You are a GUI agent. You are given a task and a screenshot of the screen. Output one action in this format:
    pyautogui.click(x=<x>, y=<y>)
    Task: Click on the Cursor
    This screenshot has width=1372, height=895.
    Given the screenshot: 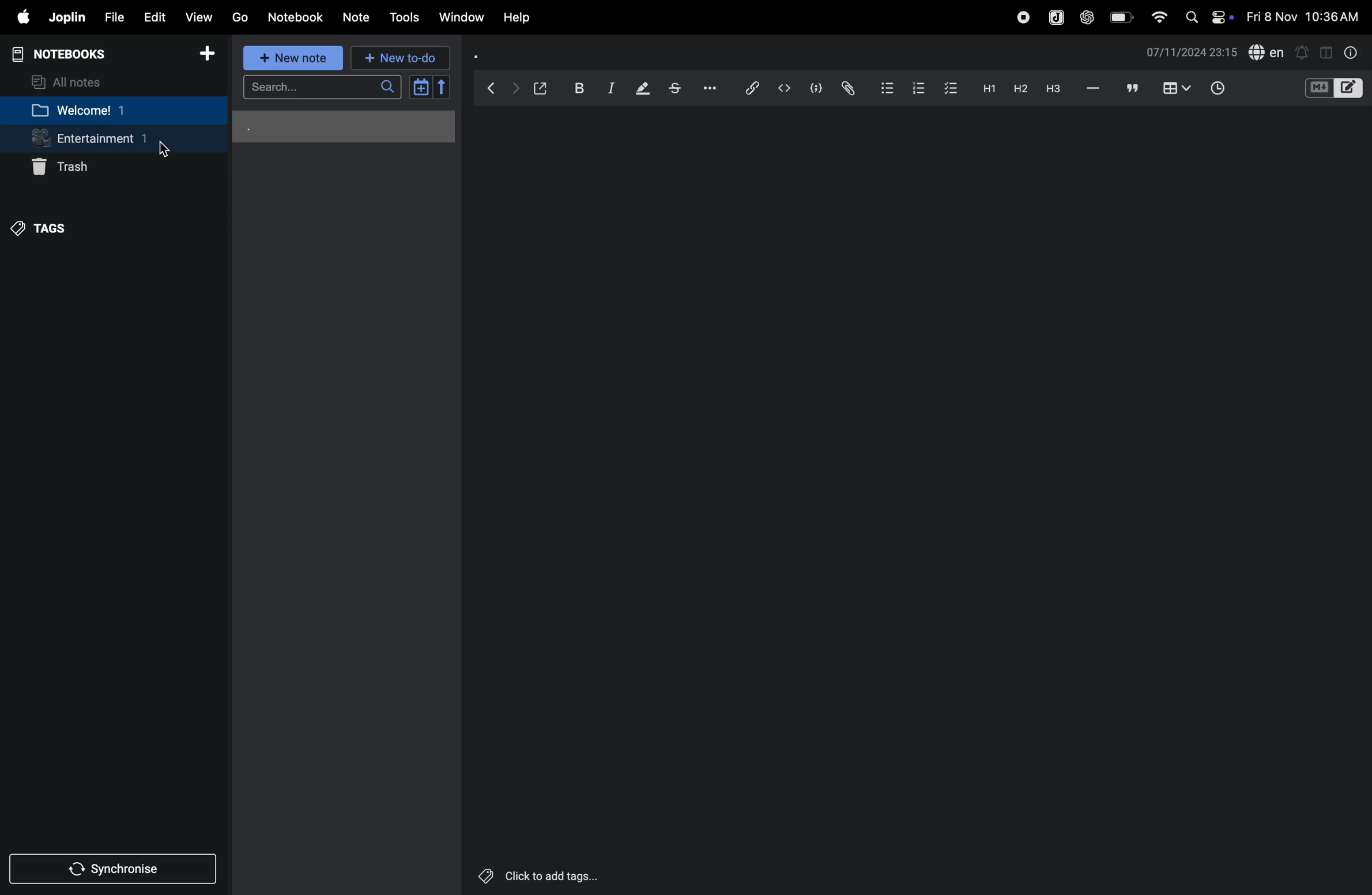 What is the action you would take?
    pyautogui.click(x=168, y=148)
    